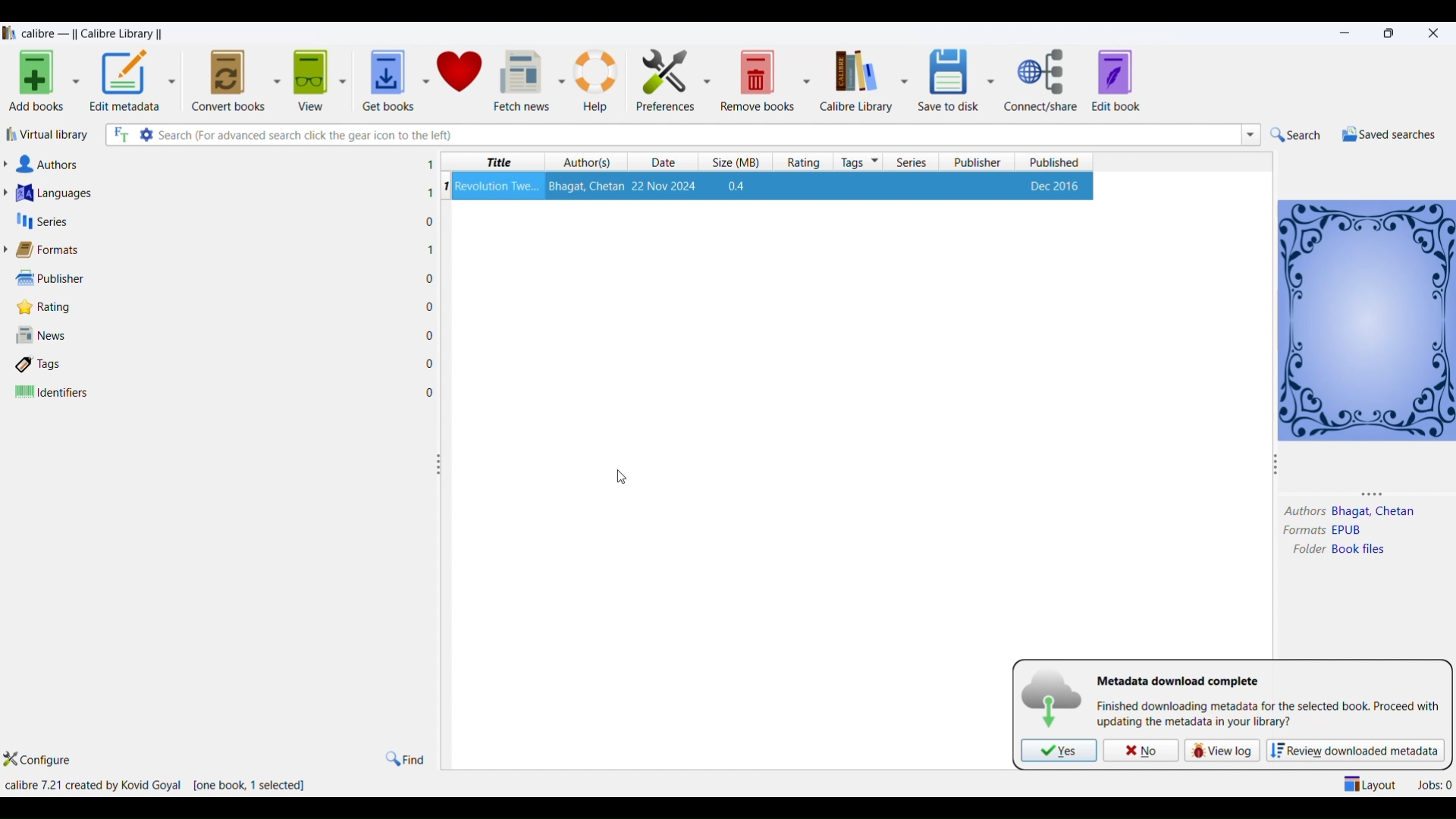 The image size is (1456, 819). What do you see at coordinates (1348, 33) in the screenshot?
I see `minimize` at bounding box center [1348, 33].